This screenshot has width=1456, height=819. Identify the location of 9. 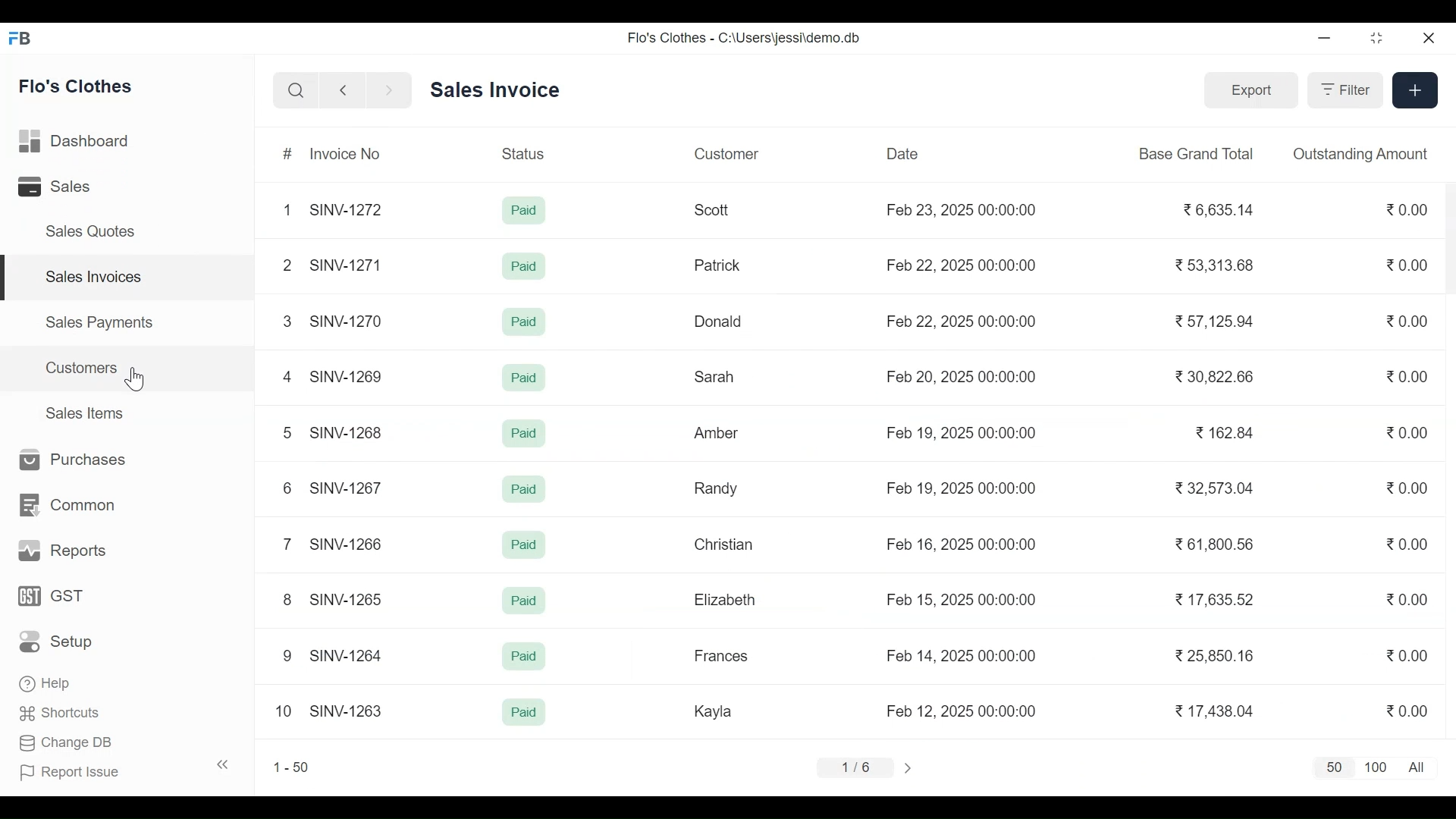
(288, 655).